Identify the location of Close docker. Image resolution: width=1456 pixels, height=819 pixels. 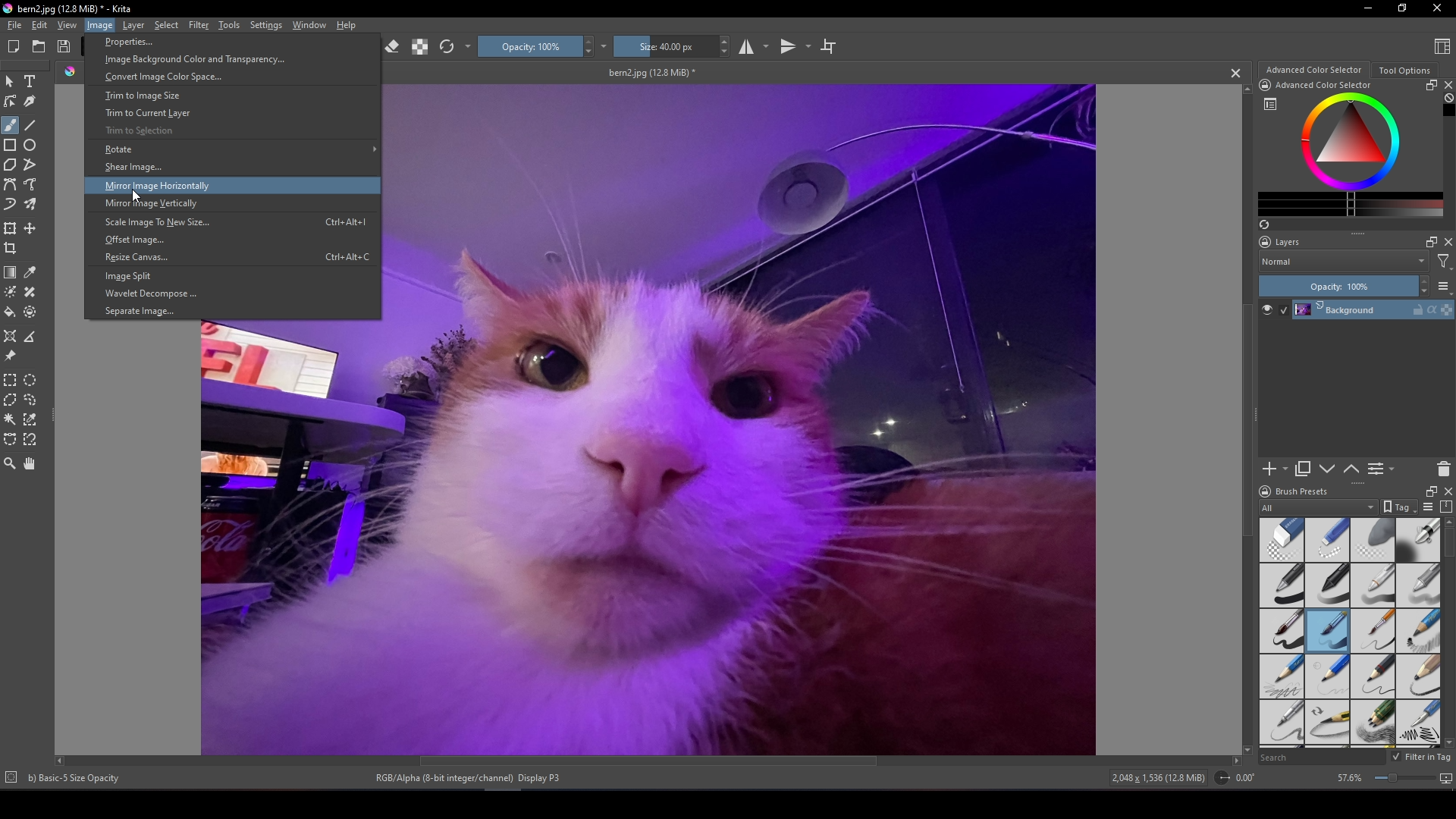
(1449, 85).